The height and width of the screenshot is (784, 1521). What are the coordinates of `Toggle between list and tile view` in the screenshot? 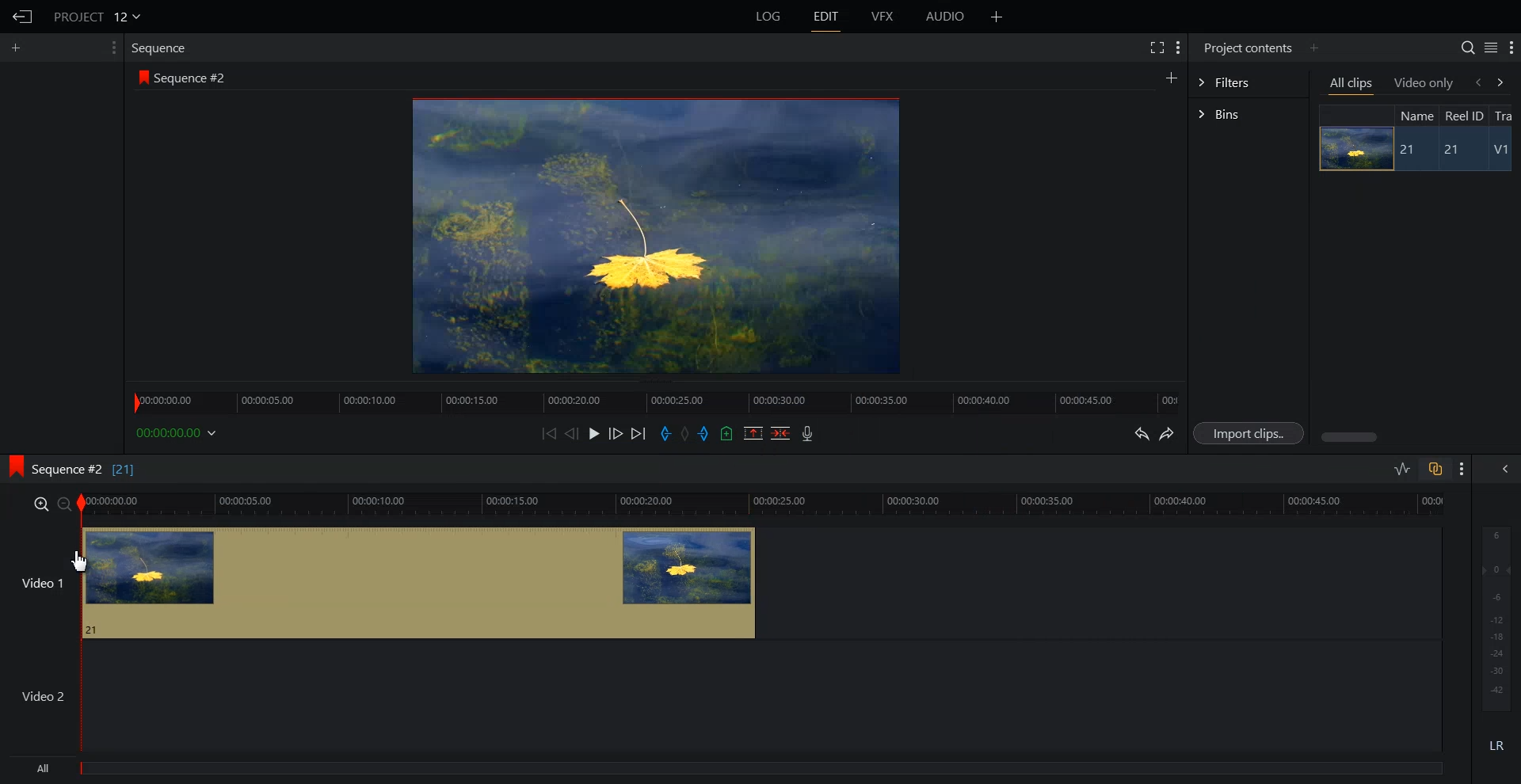 It's located at (1491, 48).